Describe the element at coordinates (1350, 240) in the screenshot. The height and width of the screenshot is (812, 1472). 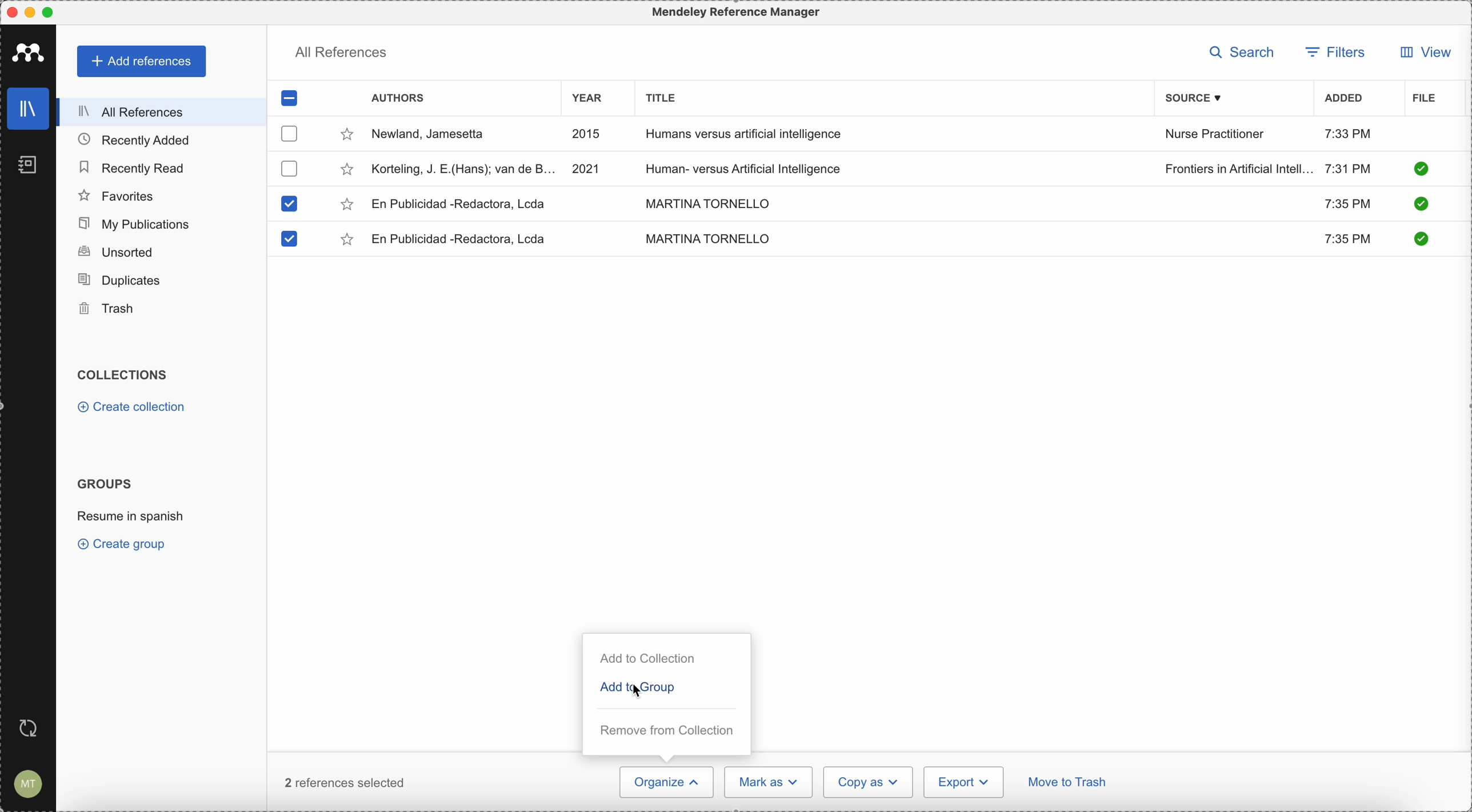
I see `7:35 PM` at that location.